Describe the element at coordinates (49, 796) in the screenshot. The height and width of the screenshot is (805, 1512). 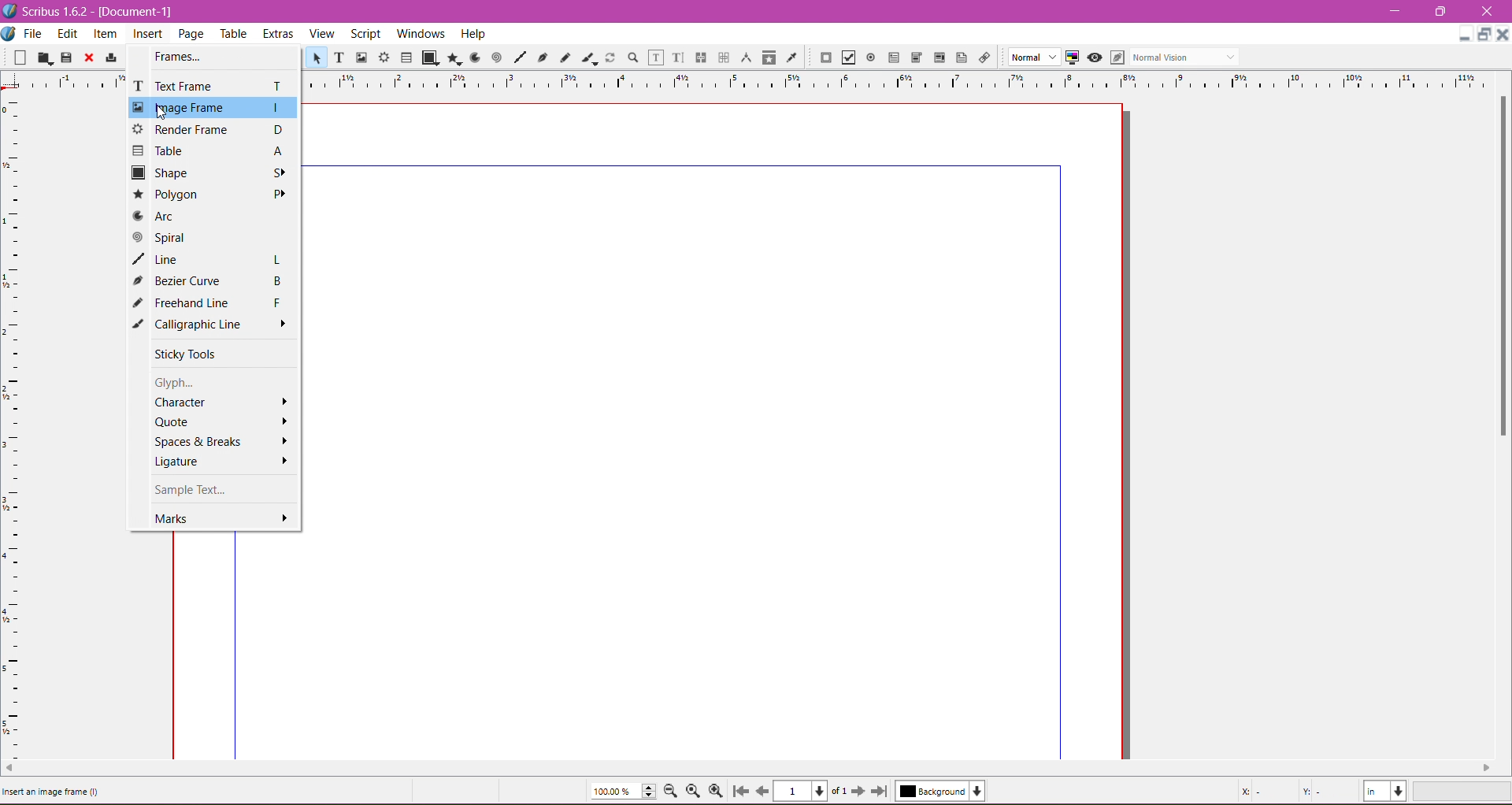
I see `insert an image frame (I)` at that location.